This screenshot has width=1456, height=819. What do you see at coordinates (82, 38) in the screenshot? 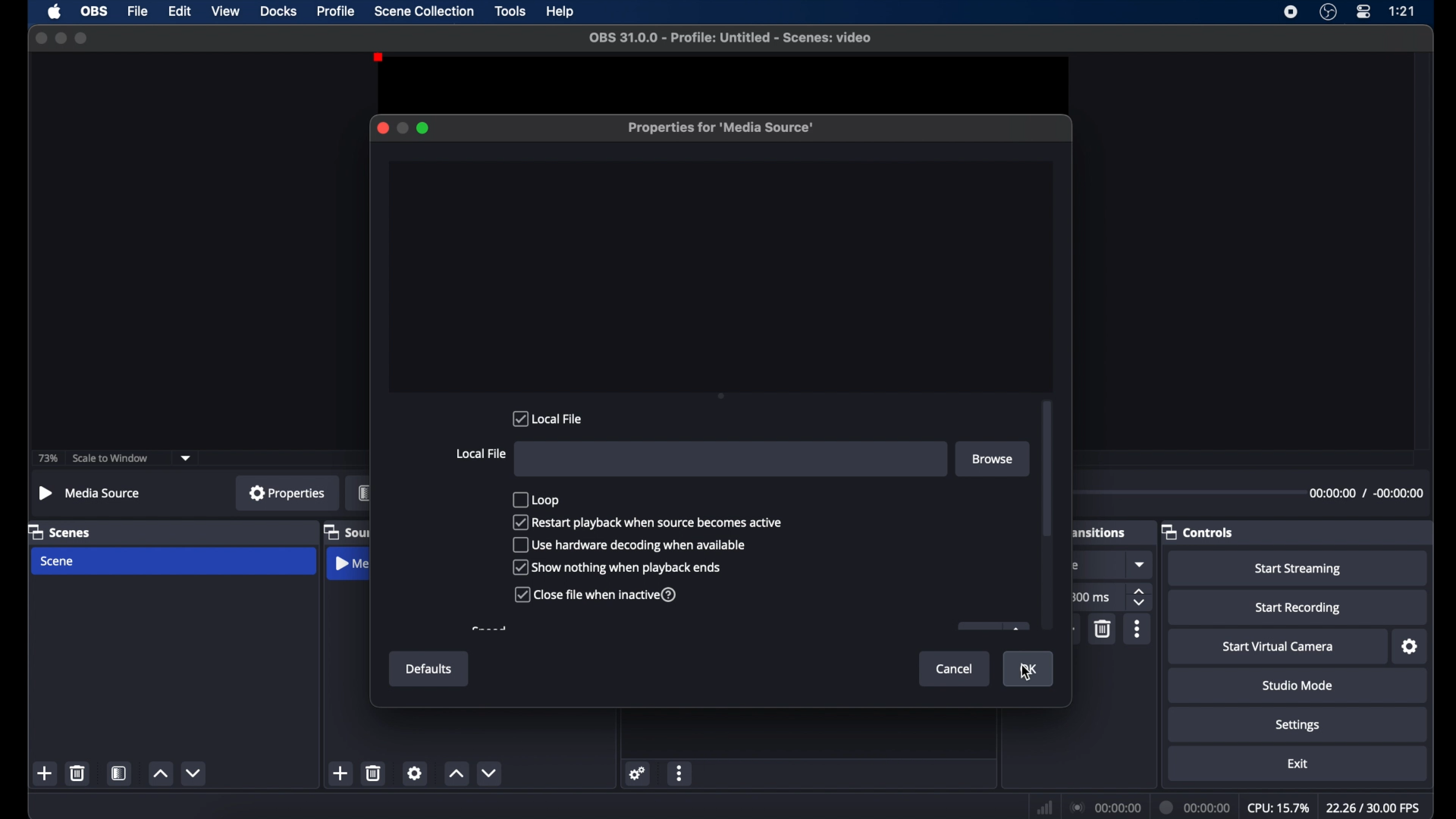
I see `maximize` at bounding box center [82, 38].